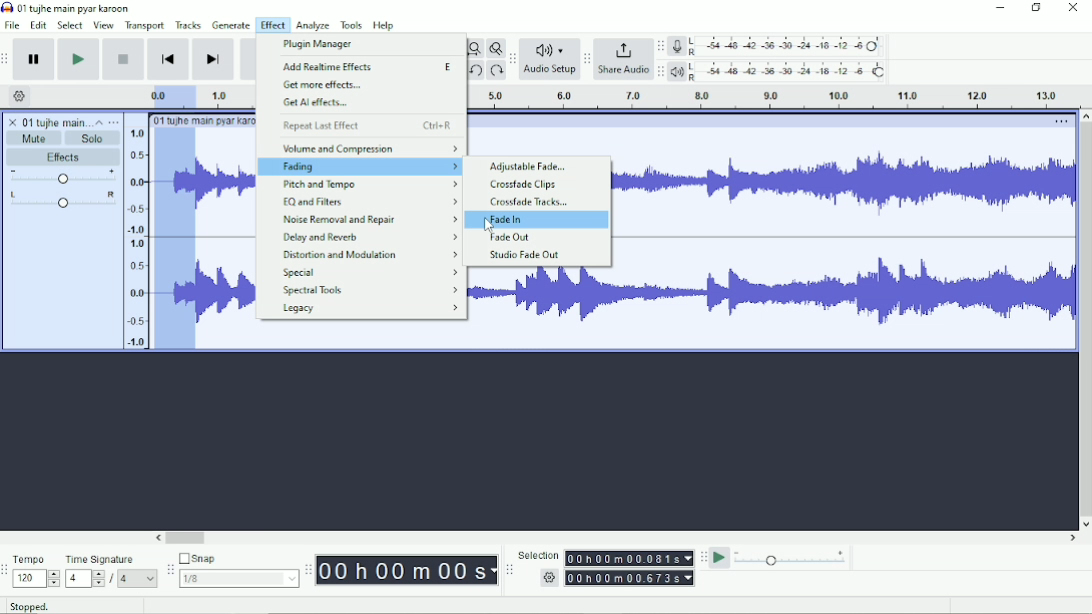 This screenshot has width=1092, height=614. Describe the element at coordinates (1084, 320) in the screenshot. I see `Vertical scrollbar` at that location.